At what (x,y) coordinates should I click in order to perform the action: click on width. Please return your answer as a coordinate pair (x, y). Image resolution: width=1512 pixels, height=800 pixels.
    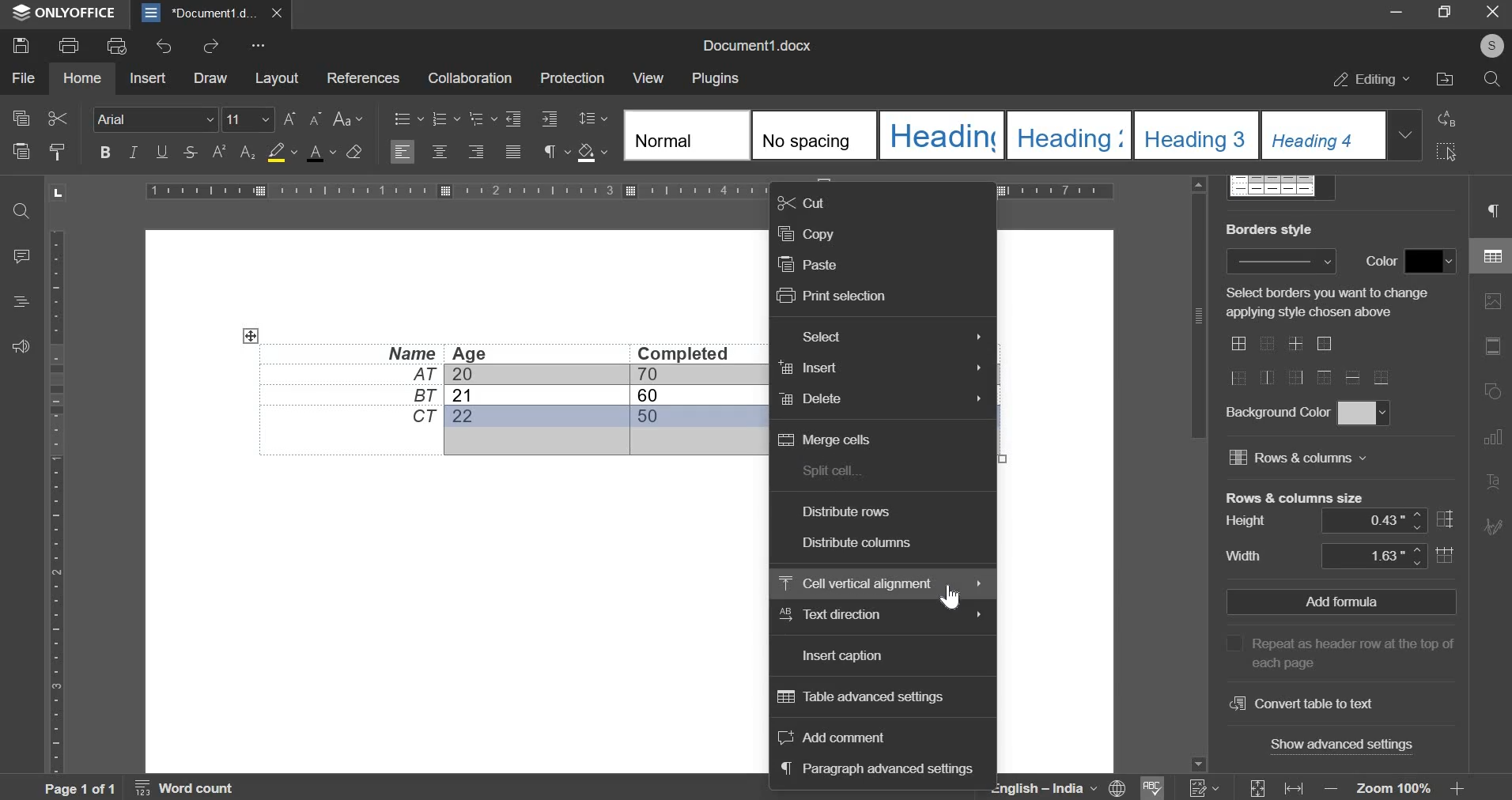
    Looking at the image, I should click on (1382, 556).